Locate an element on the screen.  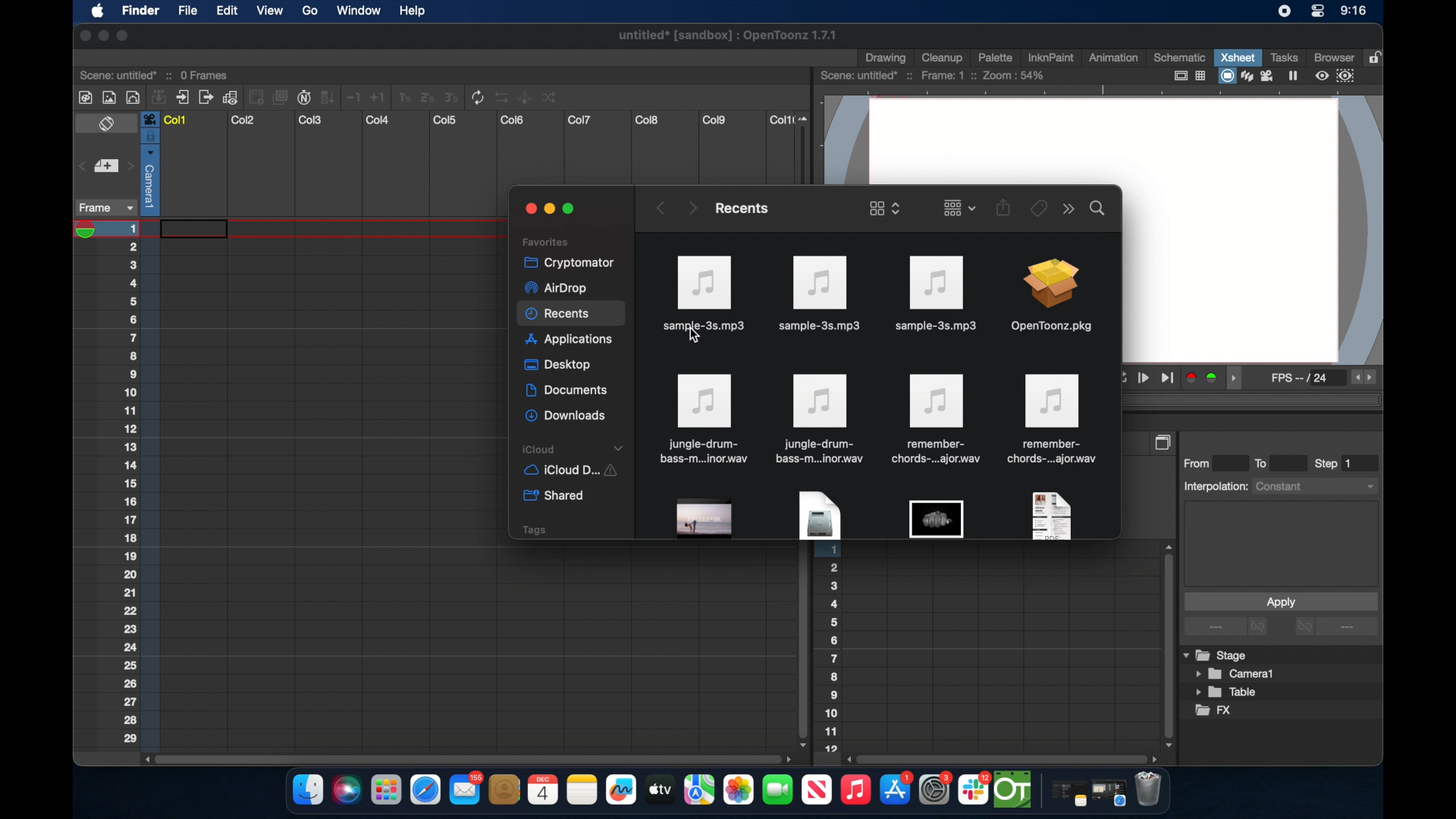
siri is located at coordinates (345, 790).